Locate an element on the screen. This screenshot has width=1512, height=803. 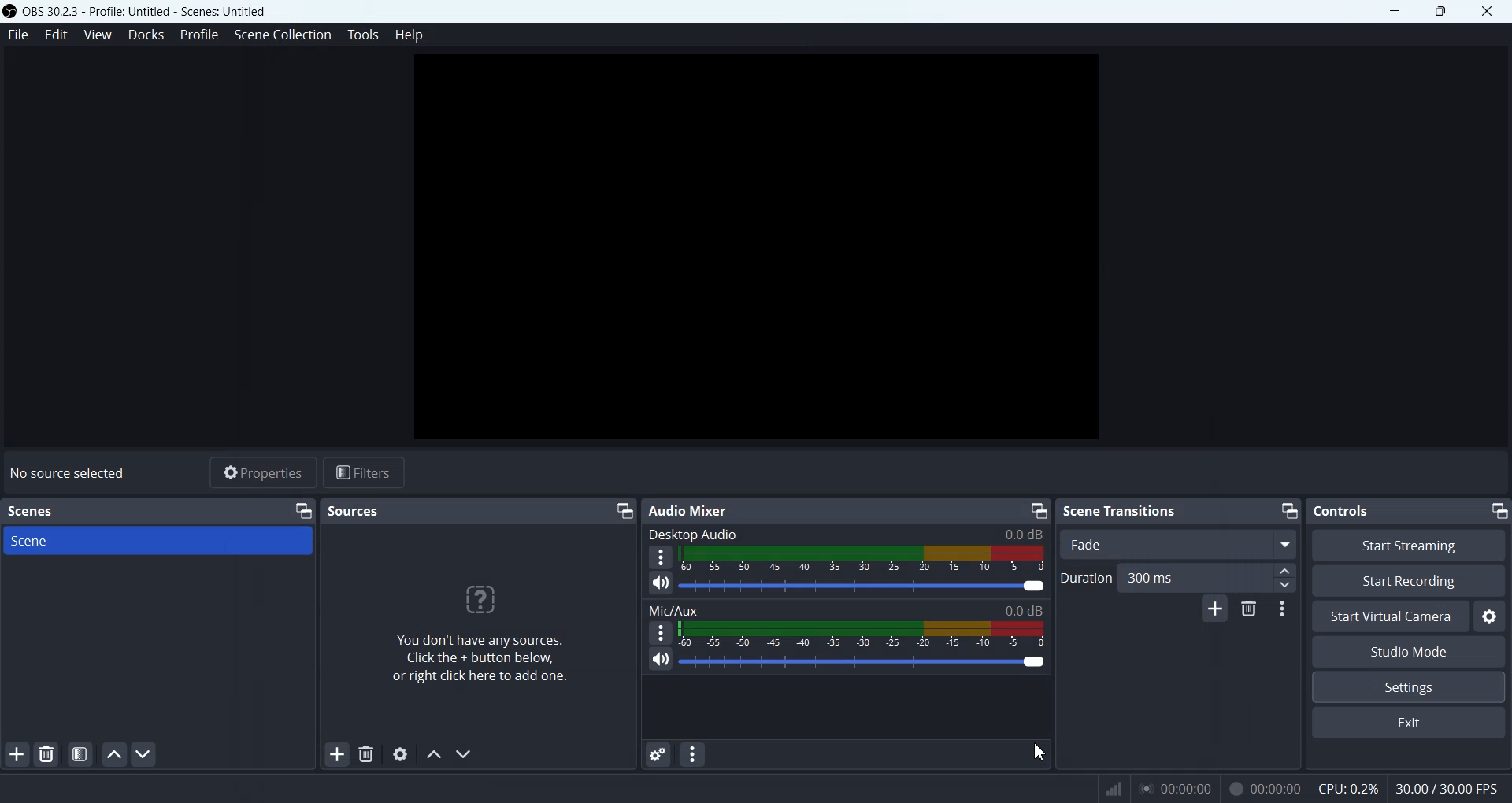
Signals is located at coordinates (1106, 787).